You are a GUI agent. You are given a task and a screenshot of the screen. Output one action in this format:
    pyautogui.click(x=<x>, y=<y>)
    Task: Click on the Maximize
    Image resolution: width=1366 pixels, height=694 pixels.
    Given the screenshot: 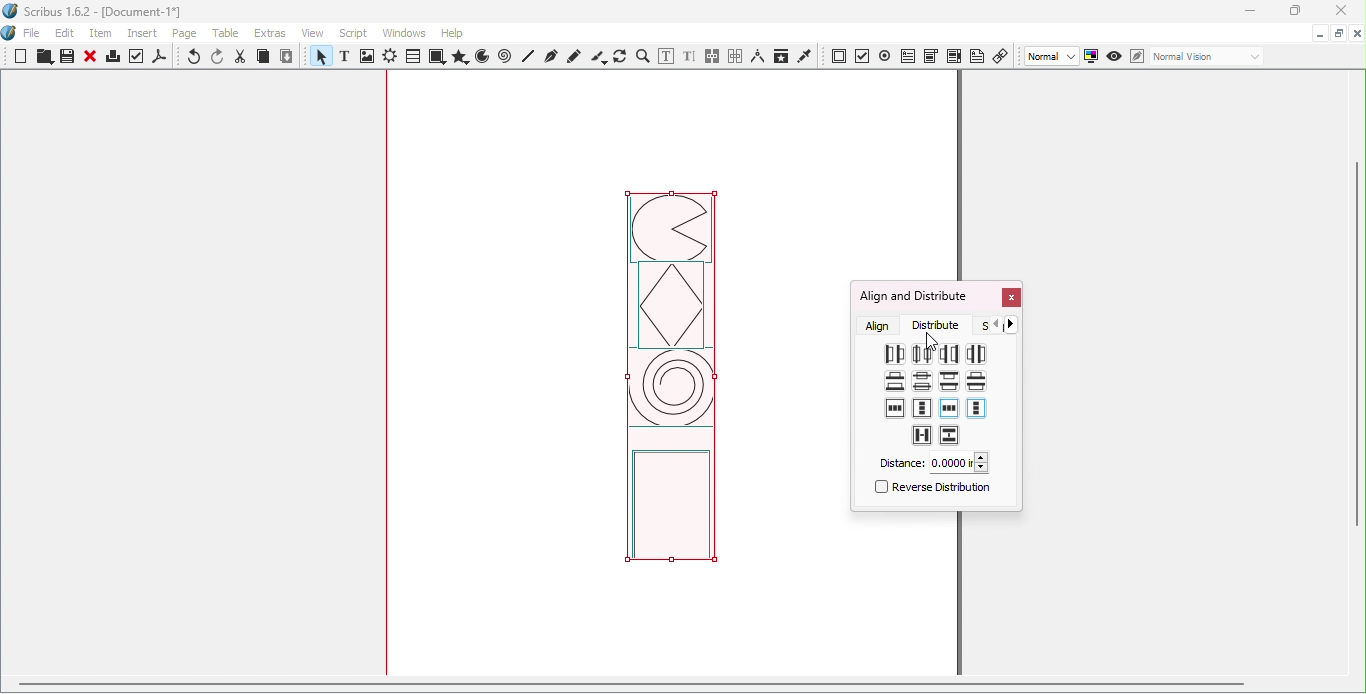 What is the action you would take?
    pyautogui.click(x=1293, y=11)
    